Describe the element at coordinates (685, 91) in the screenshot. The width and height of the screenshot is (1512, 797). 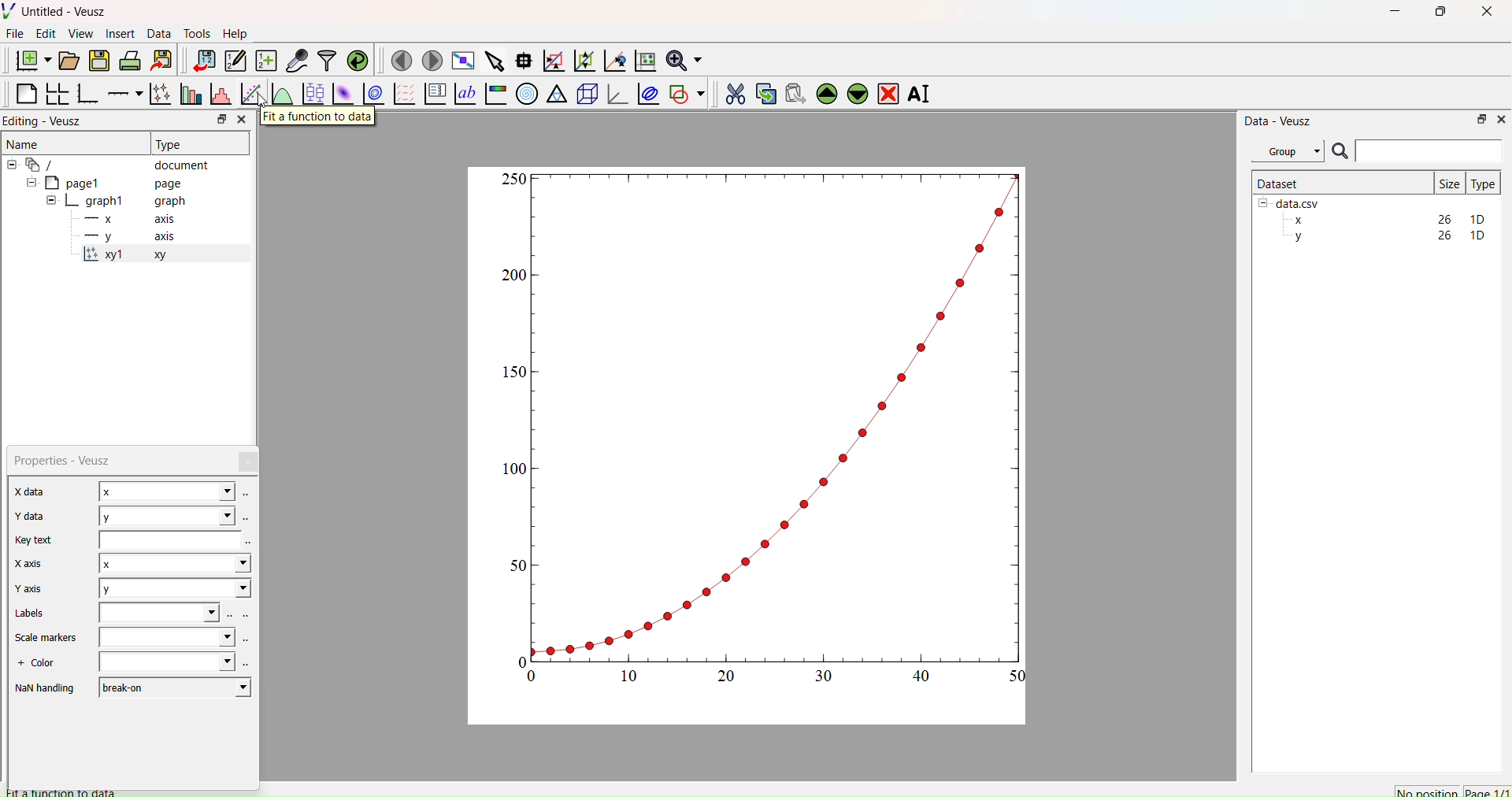
I see `Add Shape` at that location.